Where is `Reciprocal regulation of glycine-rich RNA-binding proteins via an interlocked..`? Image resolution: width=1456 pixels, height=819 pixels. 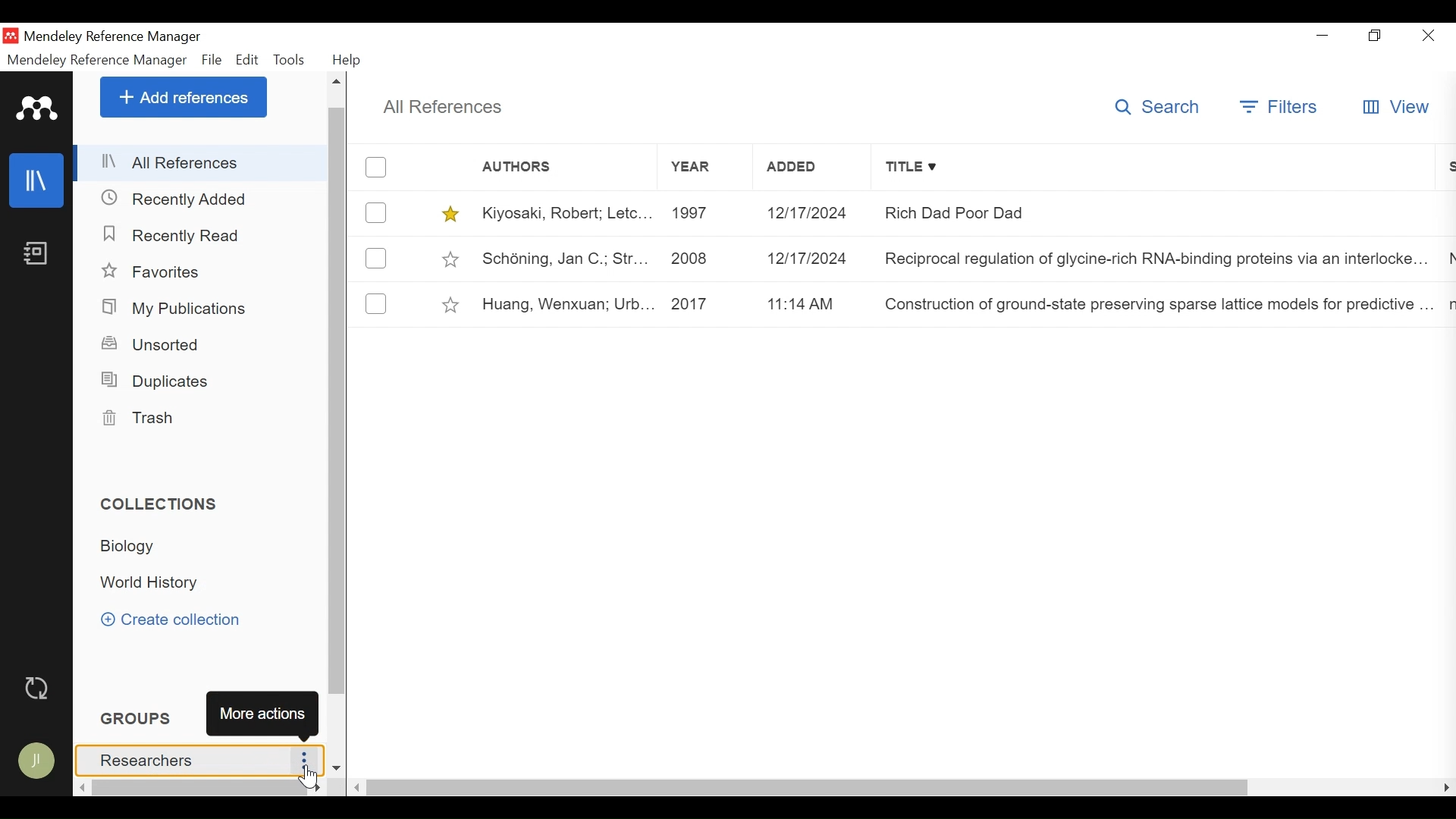
Reciprocal regulation of glycine-rich RNA-binding proteins via an interlocked.. is located at coordinates (1159, 257).